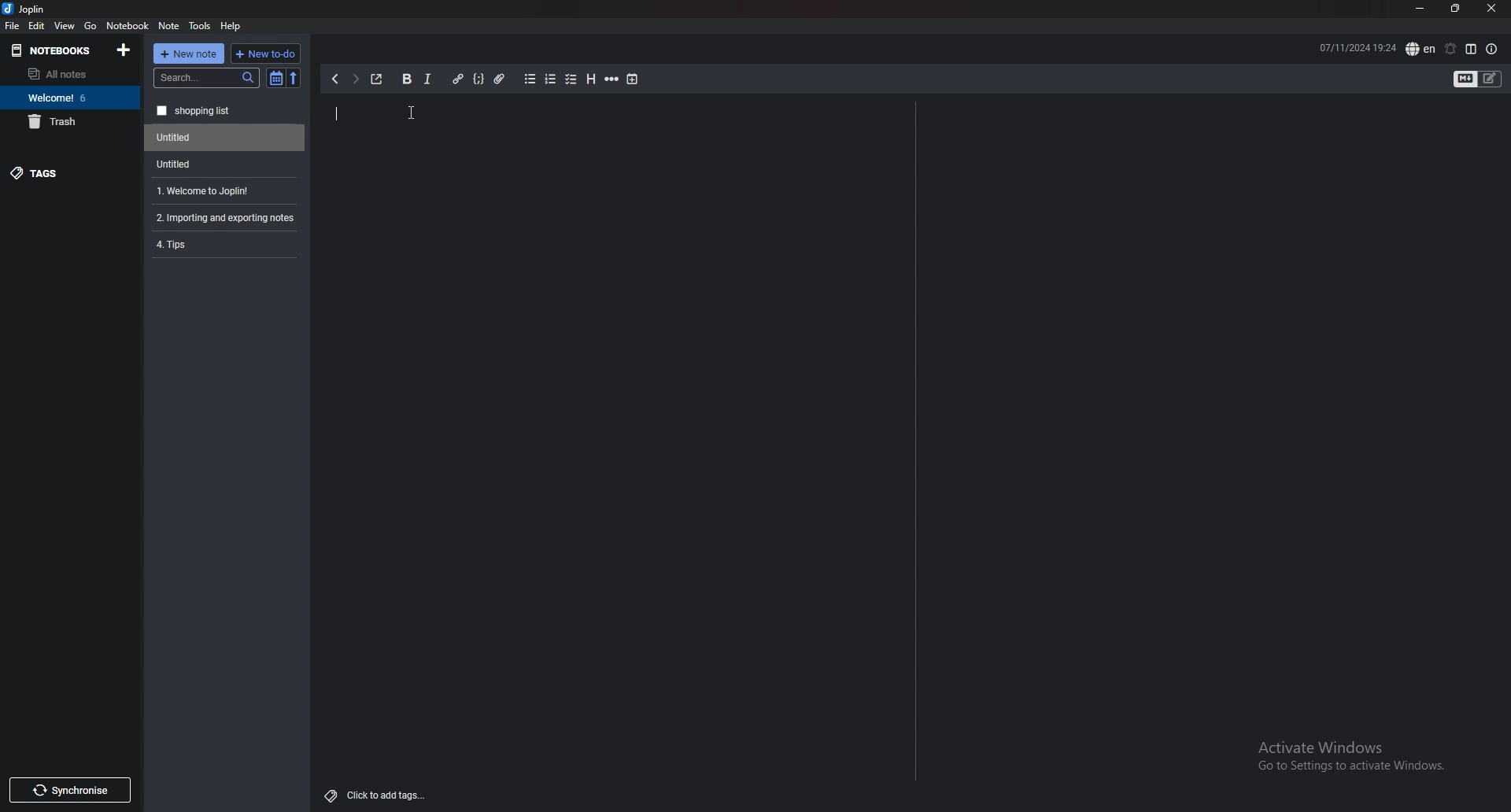  Describe the element at coordinates (124, 49) in the screenshot. I see `add notebooks` at that location.